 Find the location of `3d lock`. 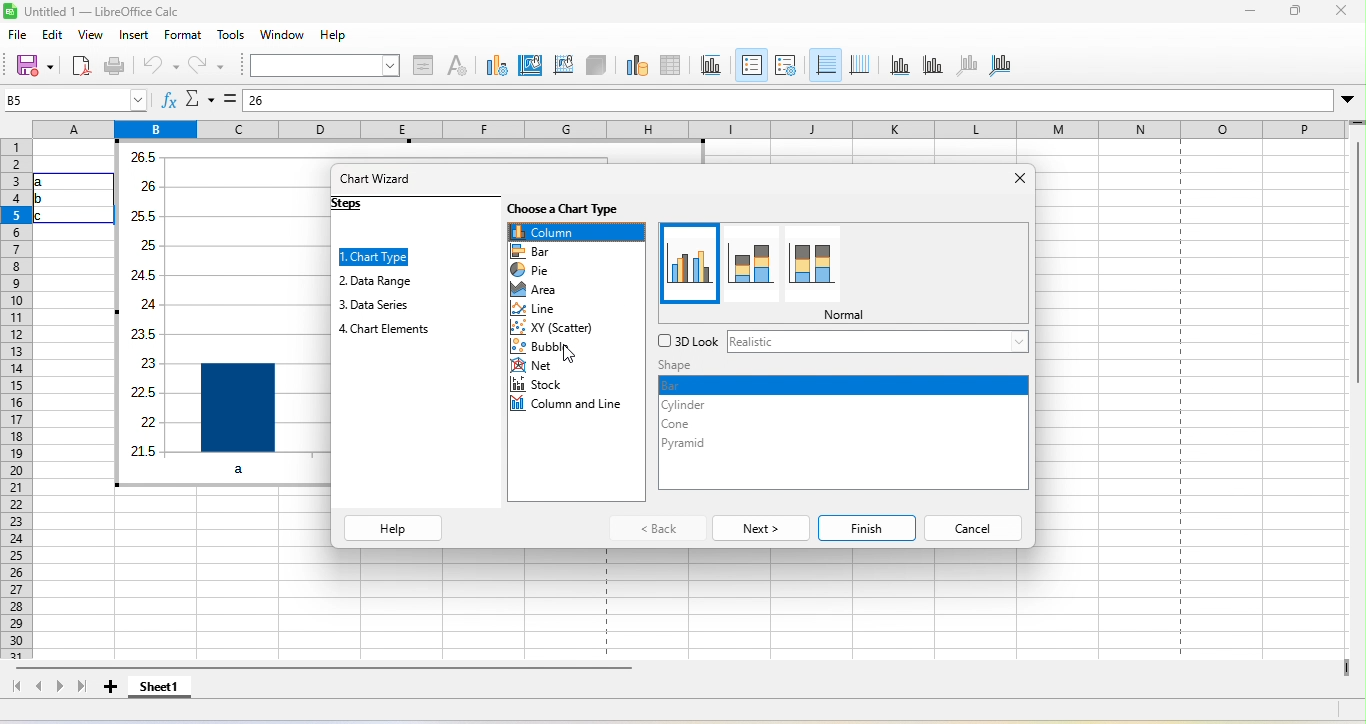

3d lock is located at coordinates (682, 343).